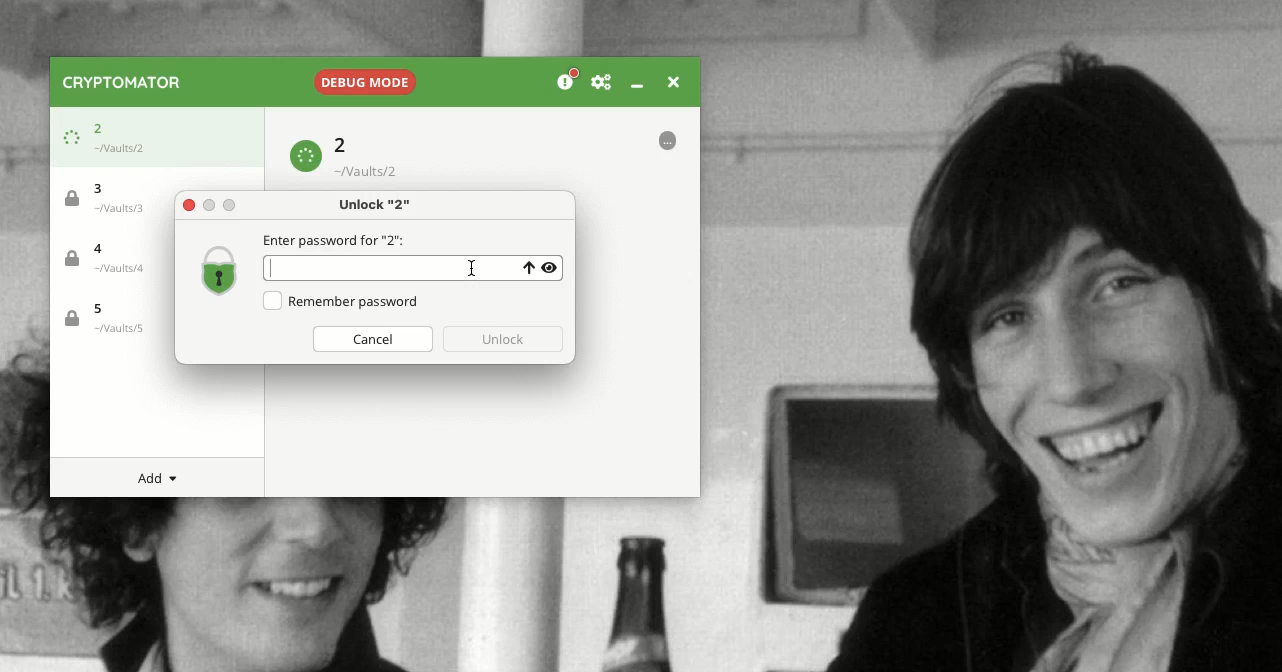 The width and height of the screenshot is (1282, 672). I want to click on Debug mode, so click(362, 78).